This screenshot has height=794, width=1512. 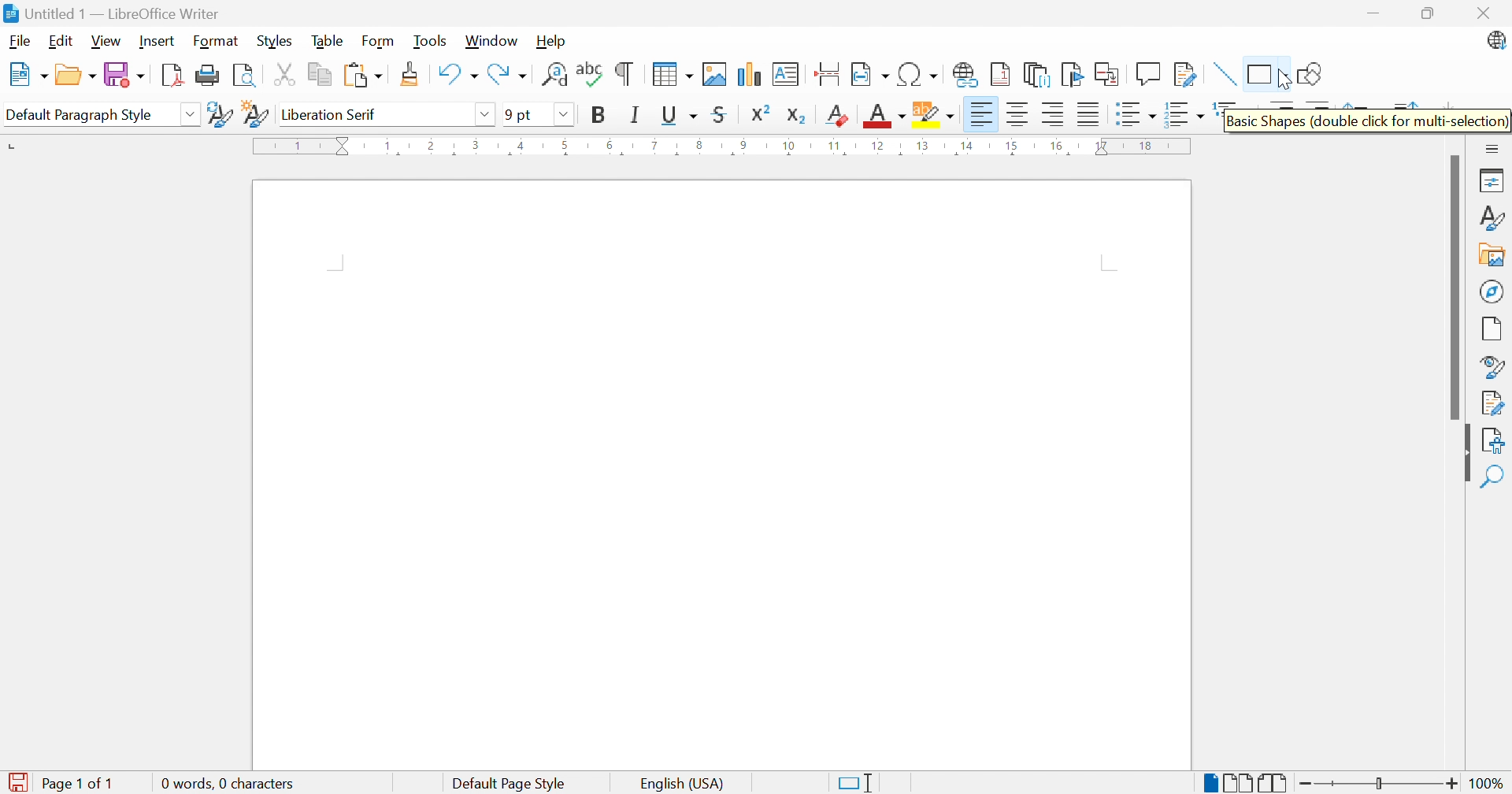 What do you see at coordinates (1492, 291) in the screenshot?
I see `Navigator` at bounding box center [1492, 291].